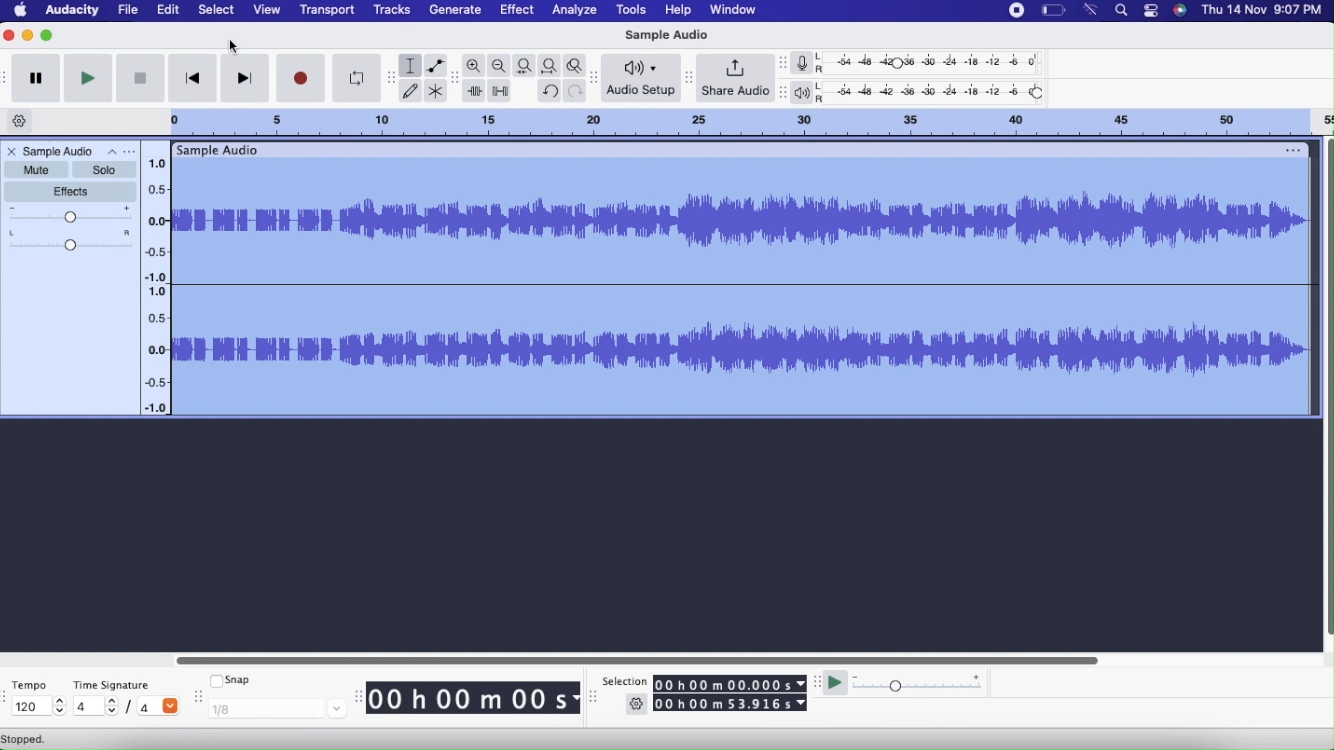 The height and width of the screenshot is (750, 1334). What do you see at coordinates (360, 78) in the screenshot?
I see `Enable Looping` at bounding box center [360, 78].